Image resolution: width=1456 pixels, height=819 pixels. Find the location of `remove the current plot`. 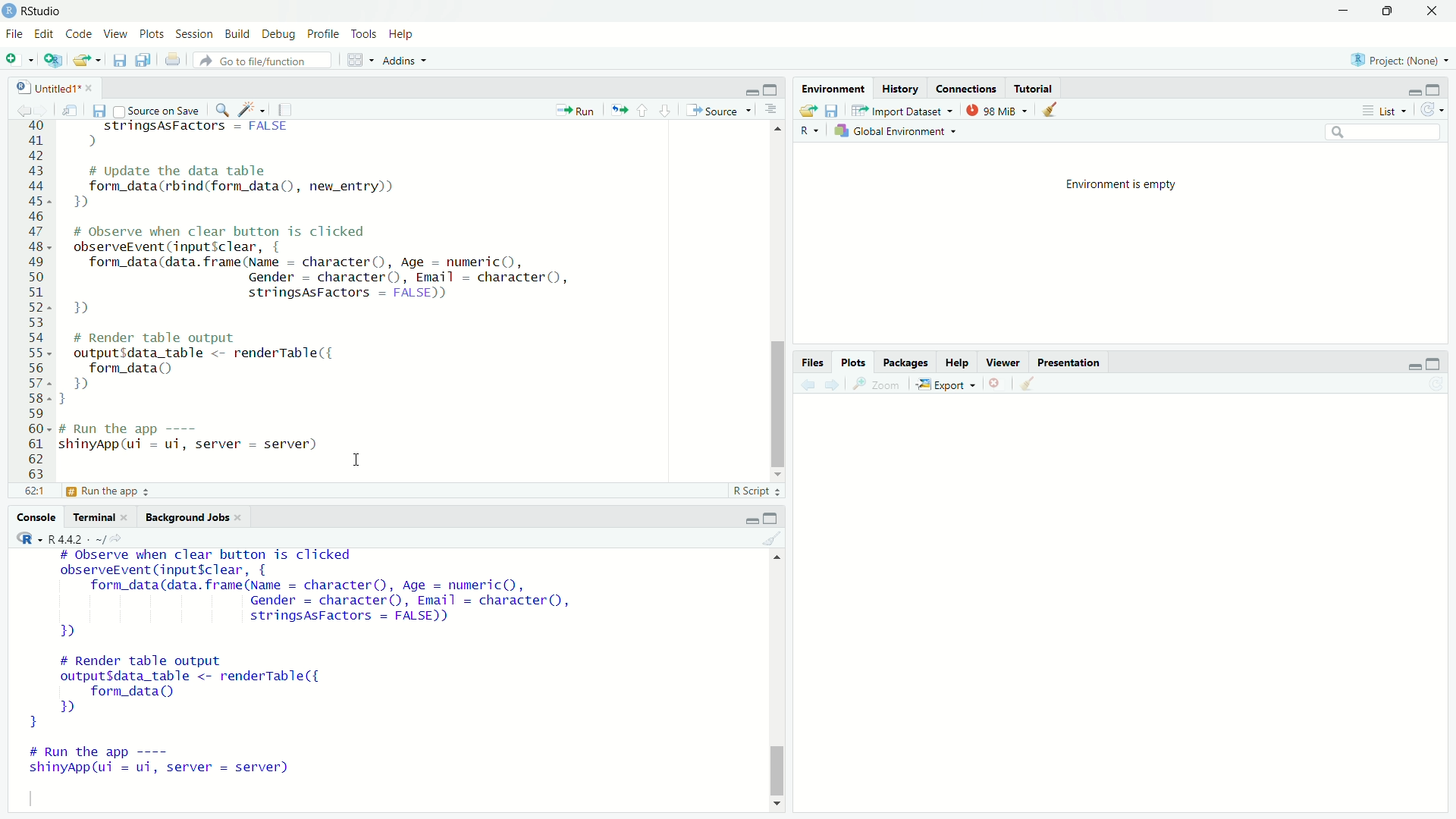

remove the current plot is located at coordinates (995, 386).